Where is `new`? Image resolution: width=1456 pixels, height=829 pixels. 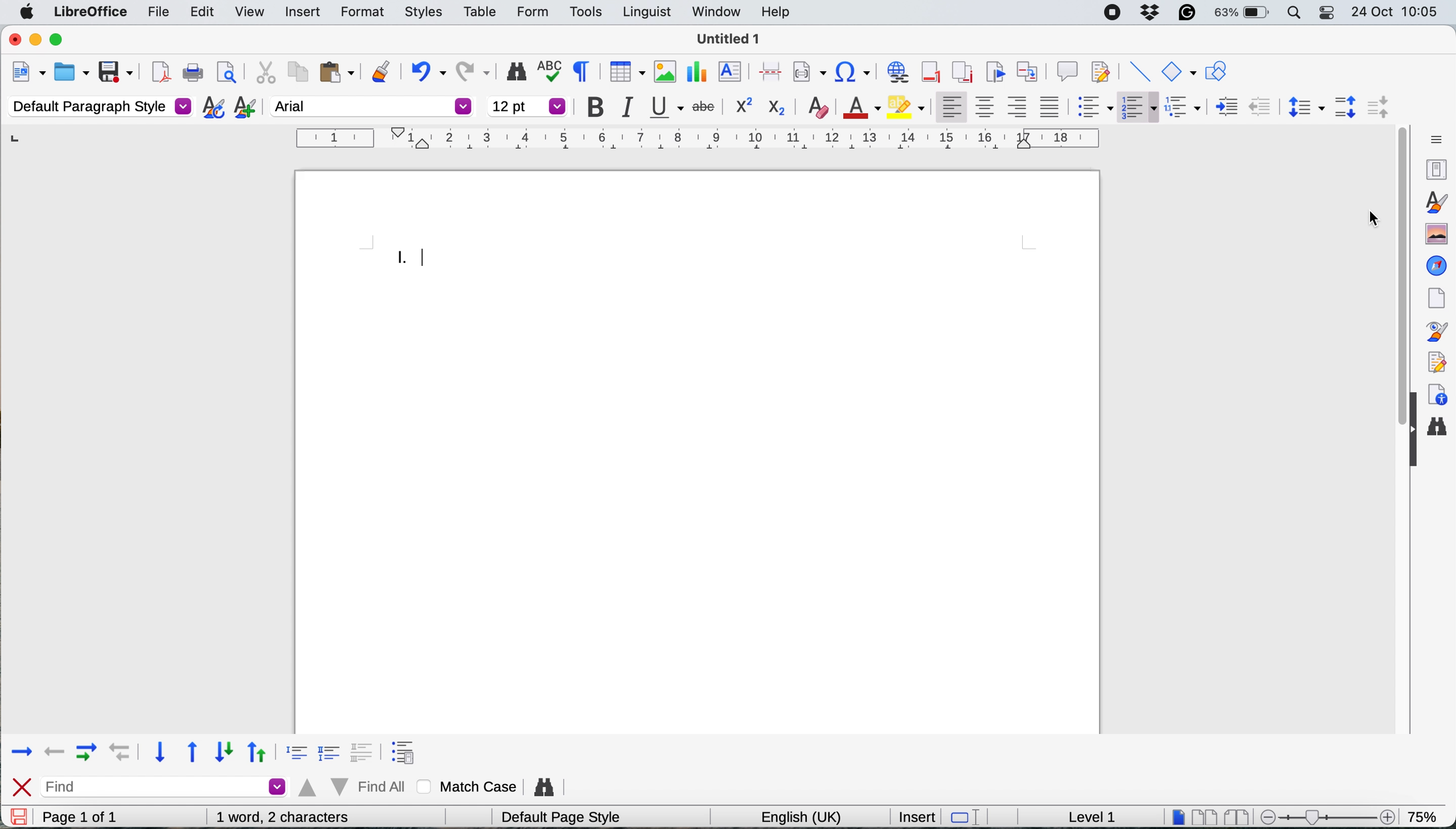
new is located at coordinates (27, 74).